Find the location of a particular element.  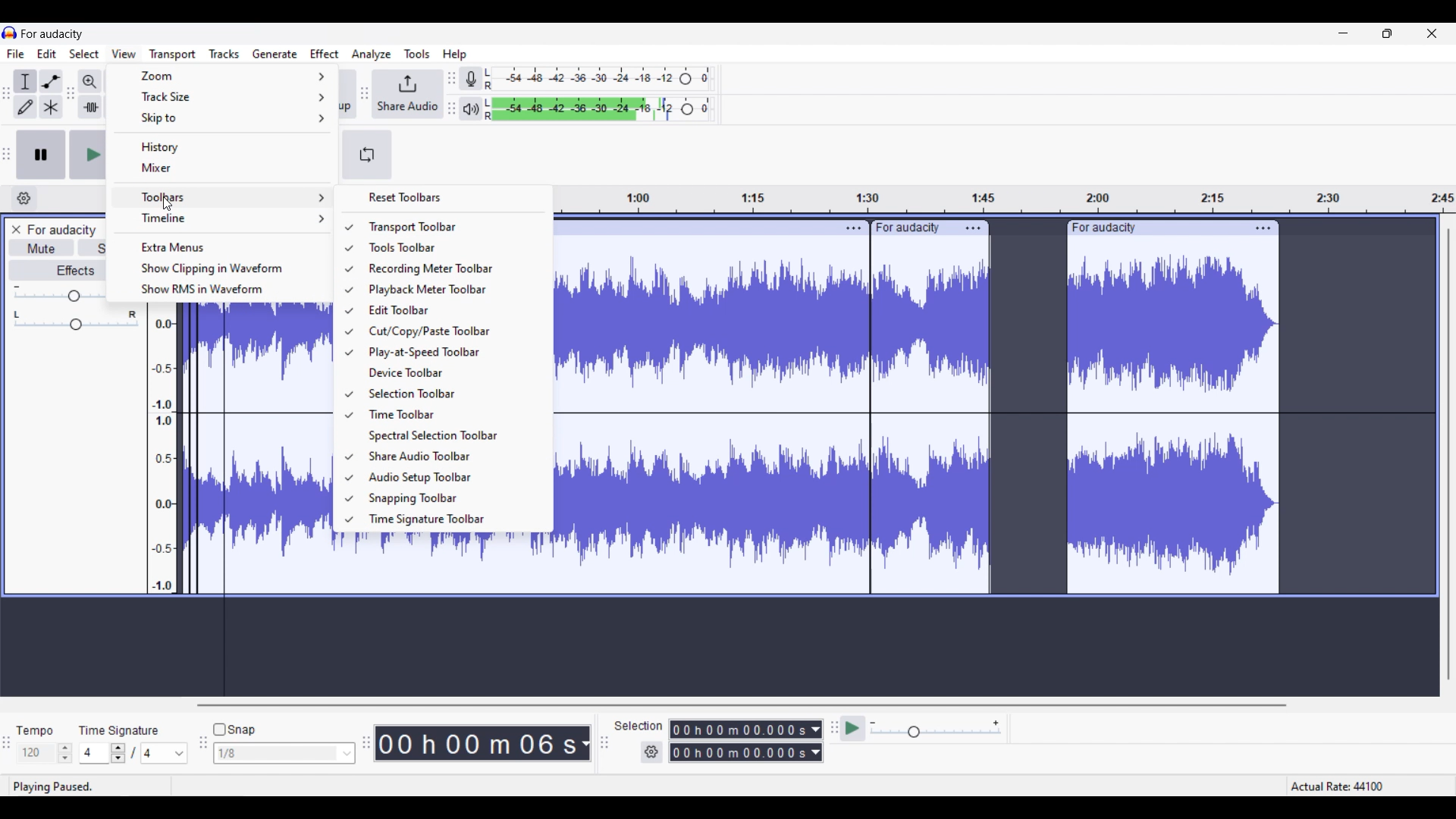

Tools toolbar is located at coordinates (450, 247).